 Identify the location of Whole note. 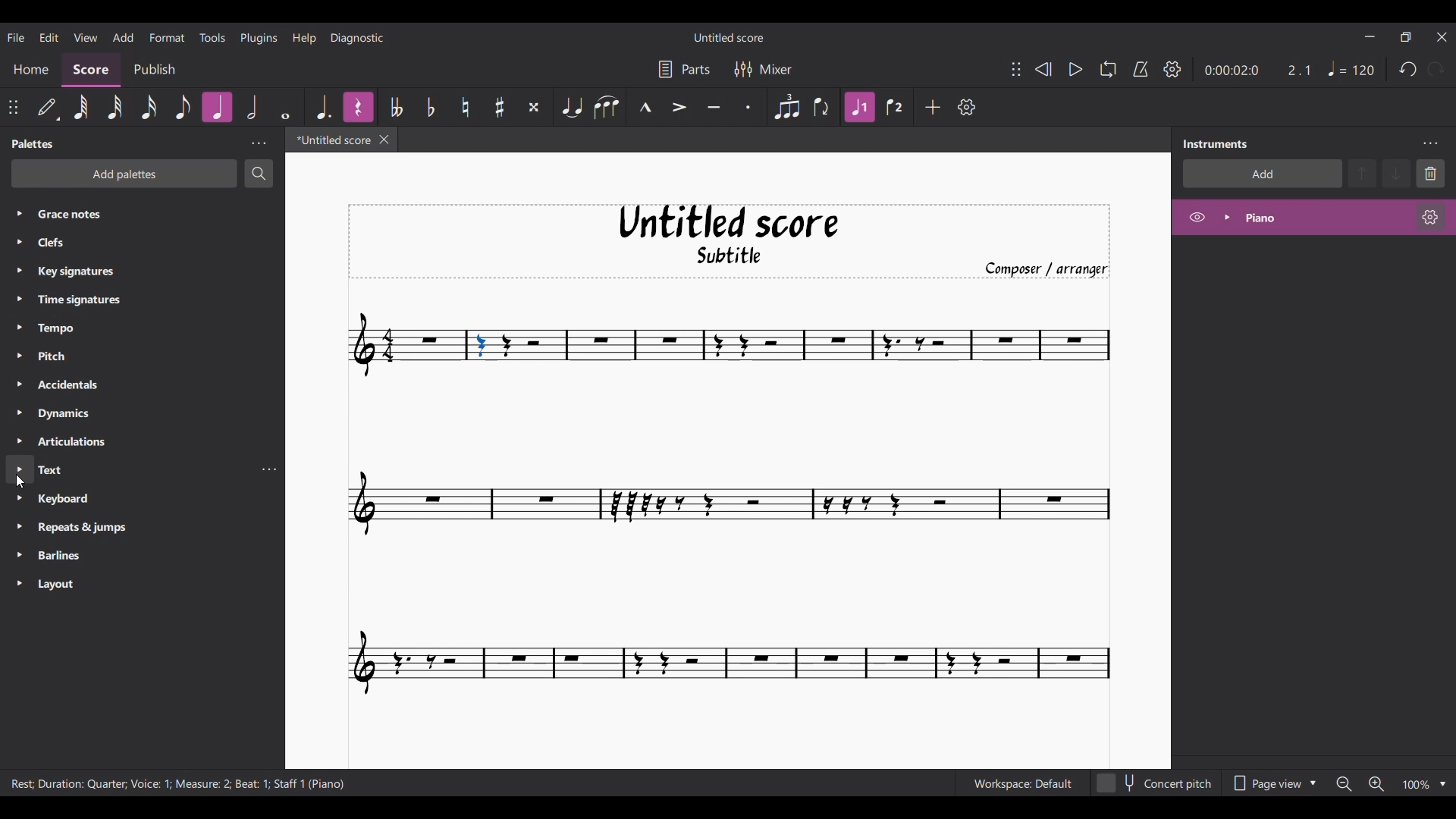
(285, 107).